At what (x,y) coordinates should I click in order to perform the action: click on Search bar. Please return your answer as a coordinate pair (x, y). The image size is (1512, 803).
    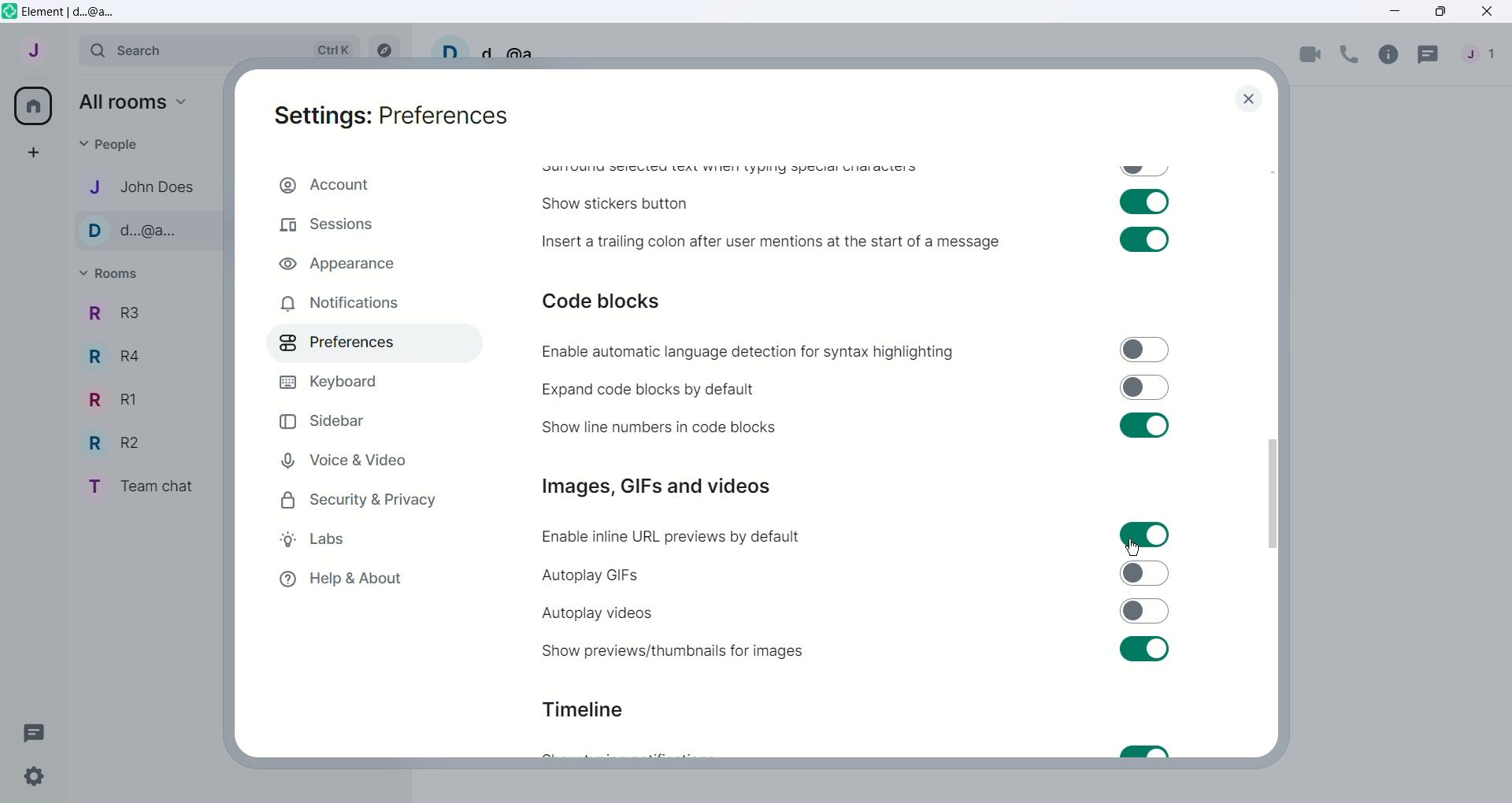
    Looking at the image, I should click on (219, 50).